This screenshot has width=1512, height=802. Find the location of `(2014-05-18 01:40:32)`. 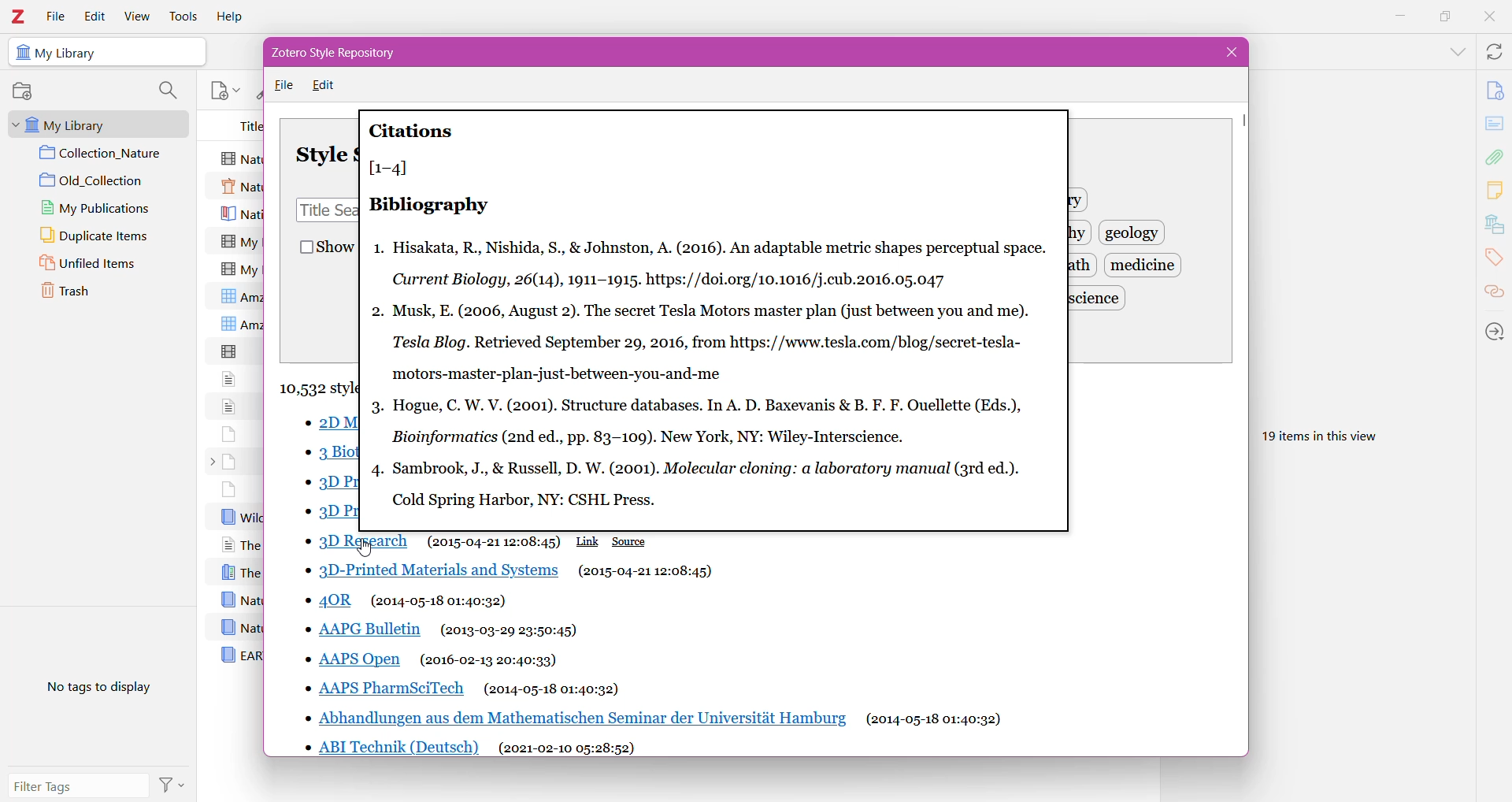

(2014-05-18 01:40:32) is located at coordinates (439, 601).